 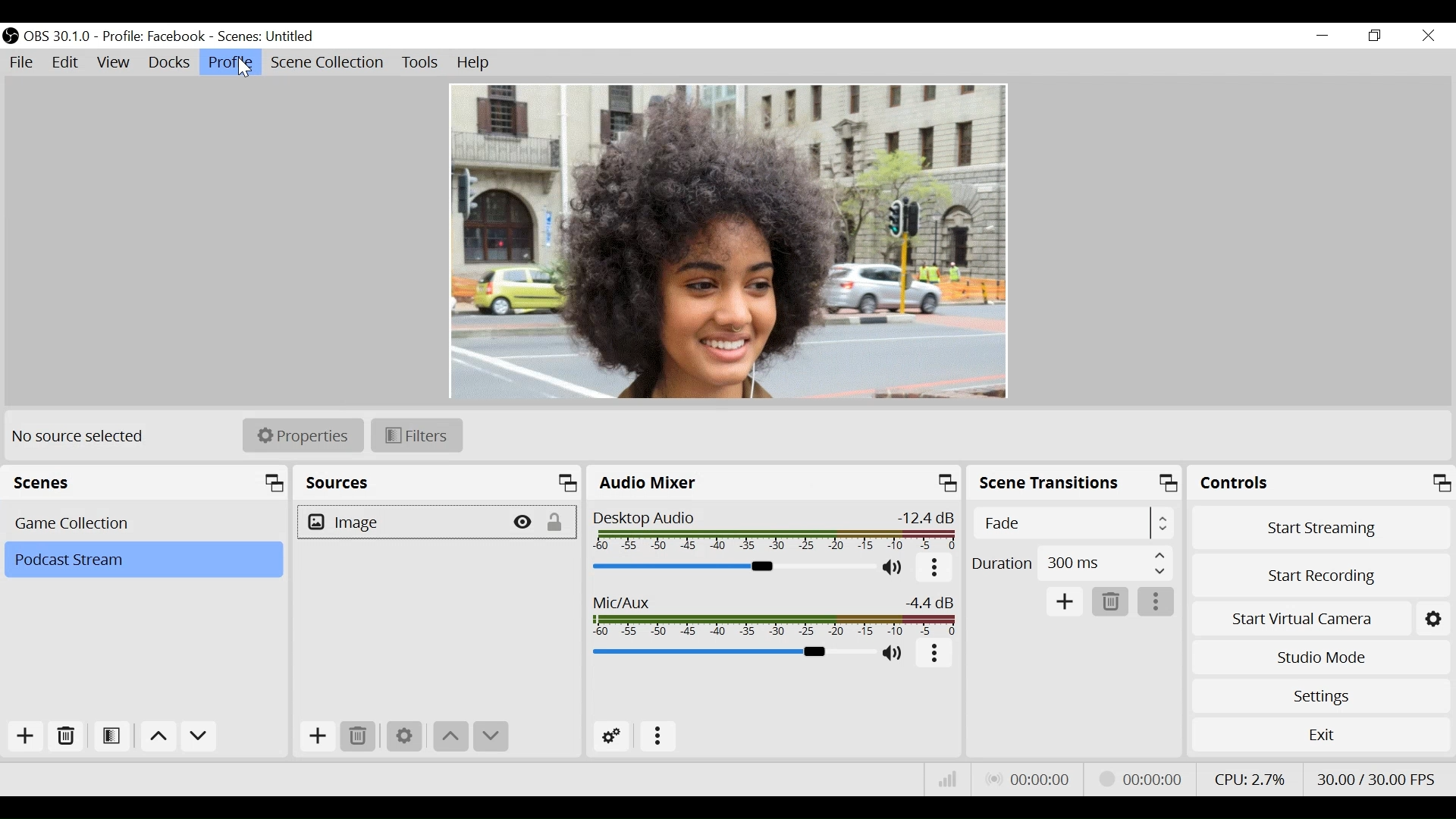 What do you see at coordinates (774, 482) in the screenshot?
I see `Audio Mixer` at bounding box center [774, 482].